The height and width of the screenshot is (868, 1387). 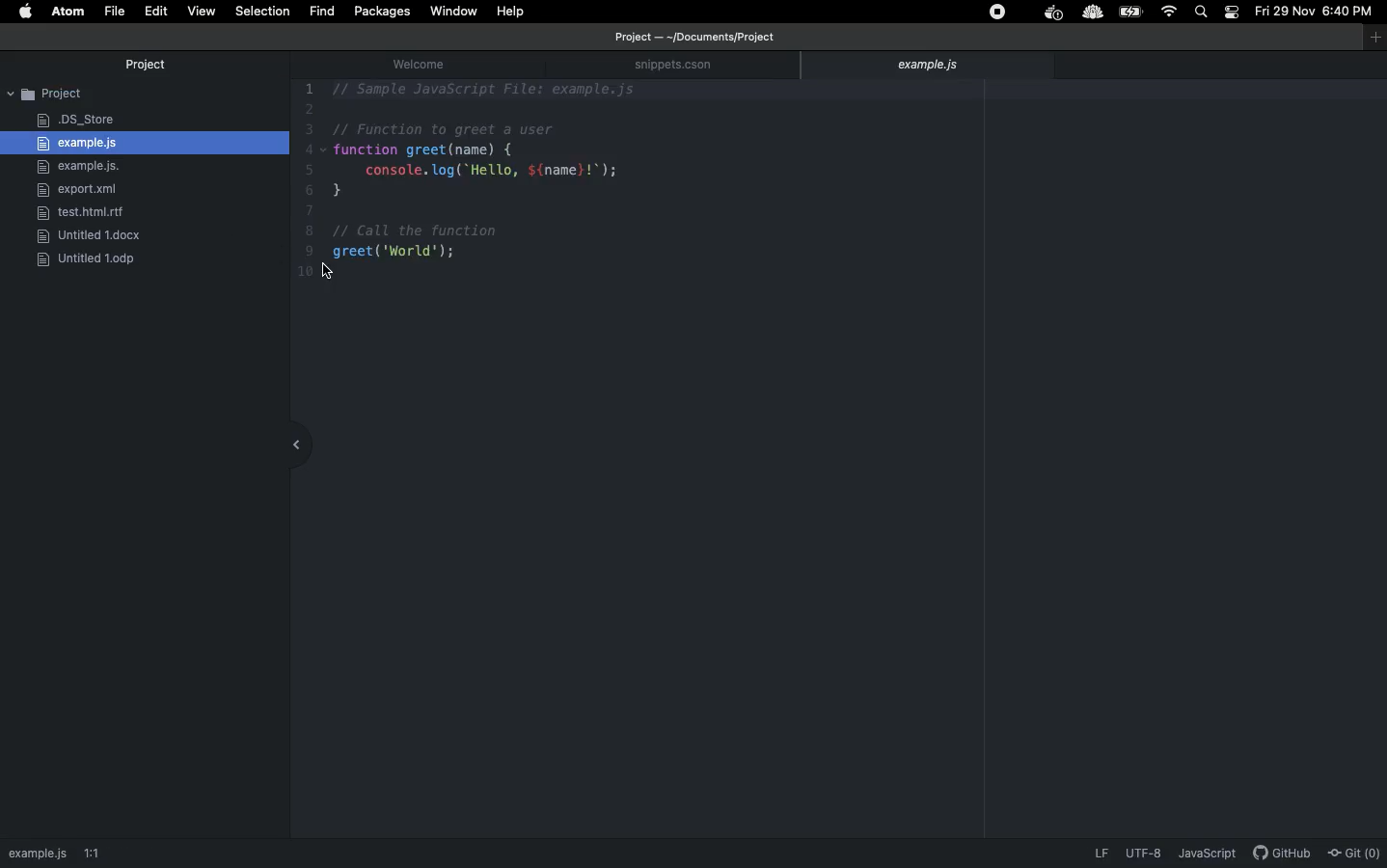 What do you see at coordinates (80, 143) in the screenshot?
I see `example.js` at bounding box center [80, 143].